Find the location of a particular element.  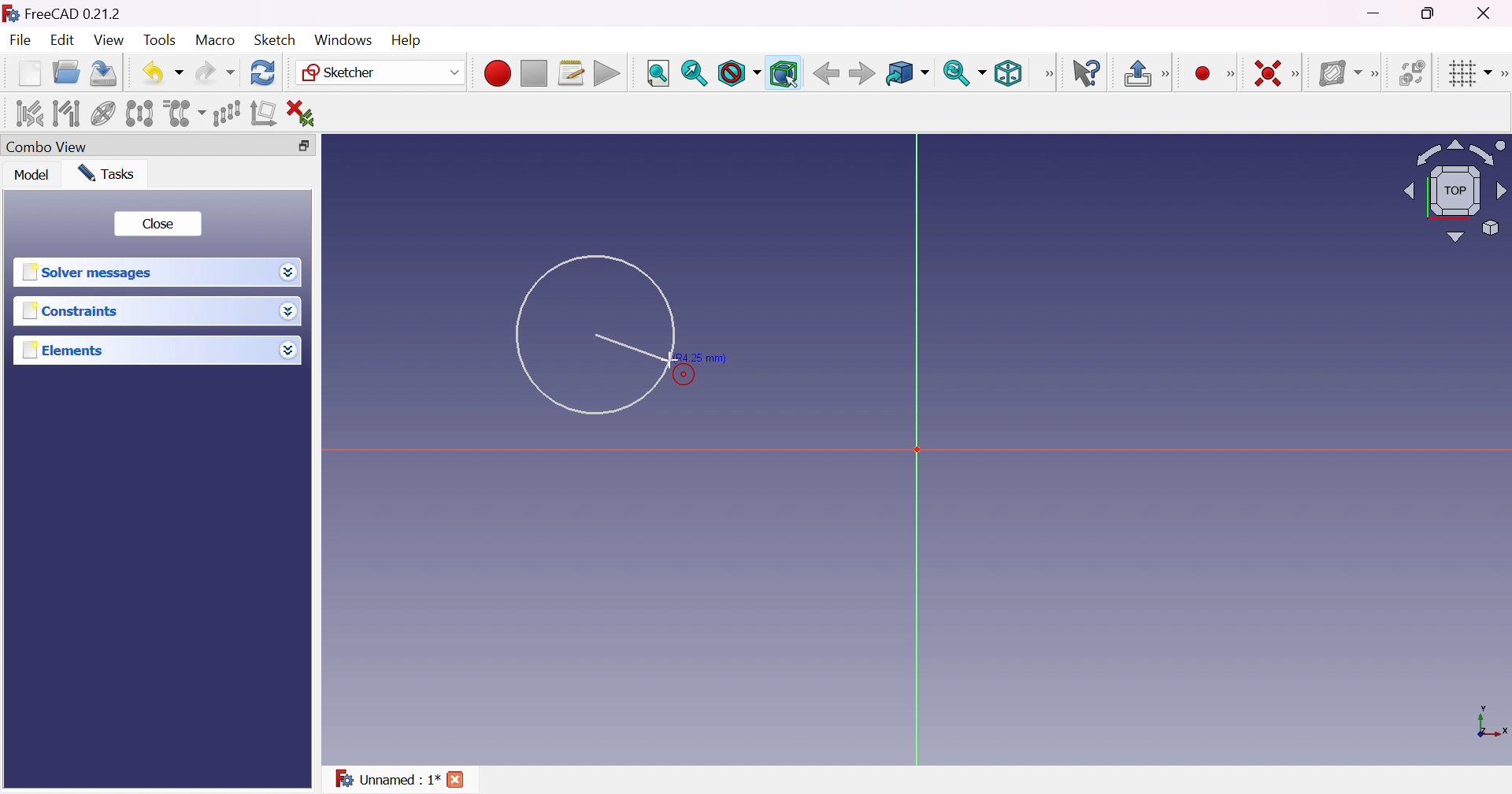

Solver messages is located at coordinates (90, 270).